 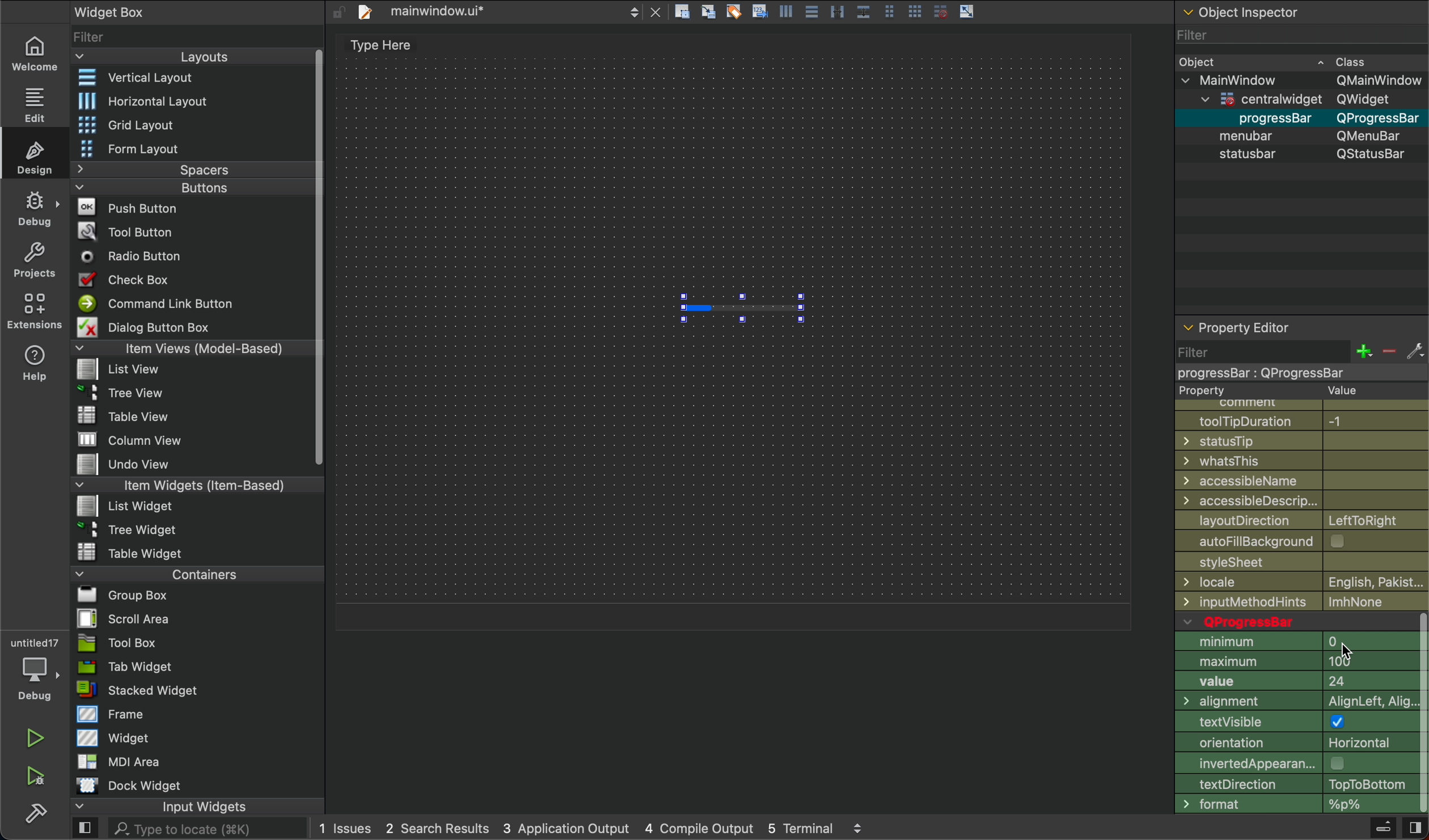 I want to click on Frame, so click(x=112, y=714).